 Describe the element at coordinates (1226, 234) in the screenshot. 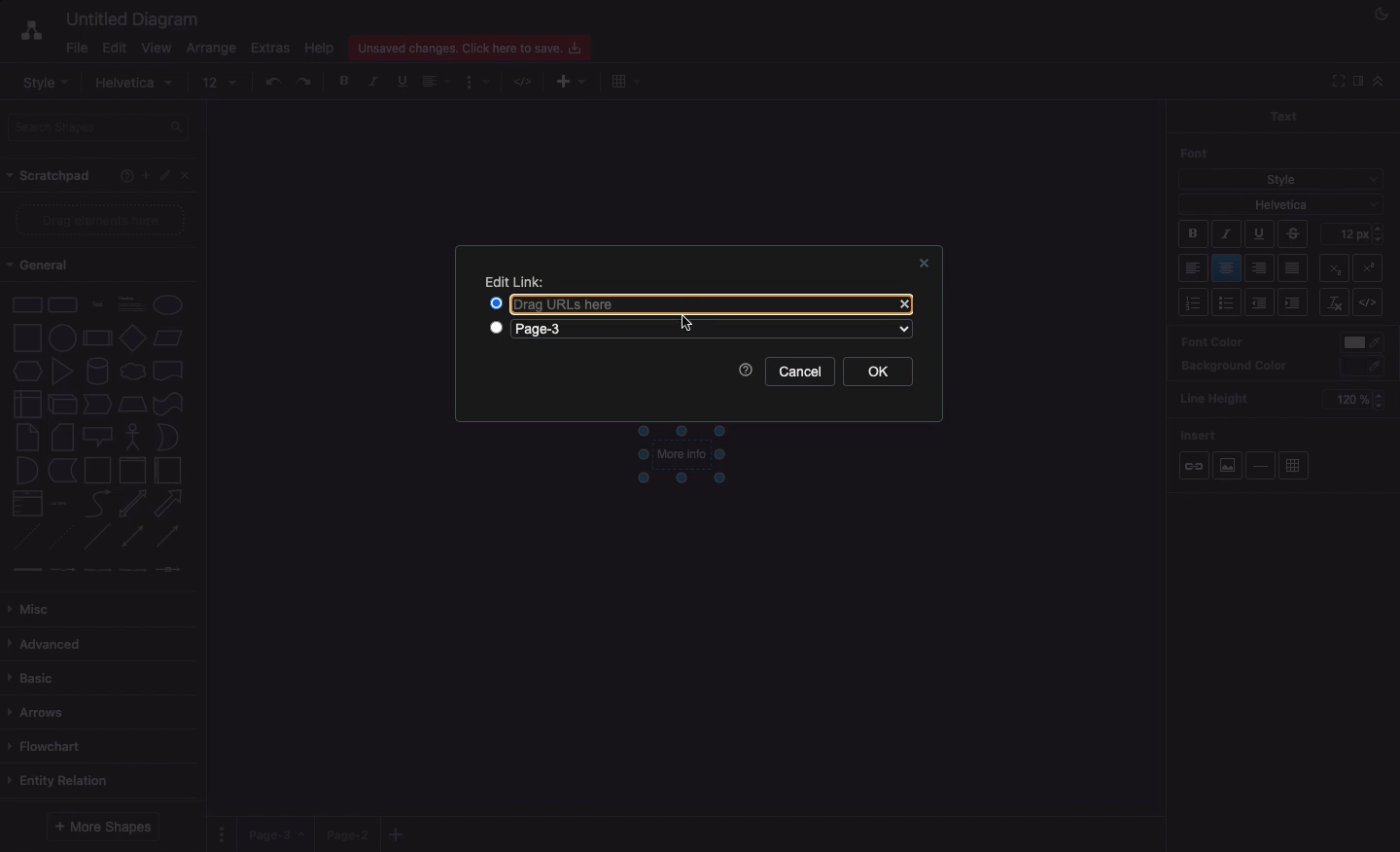

I see `Italic` at that location.